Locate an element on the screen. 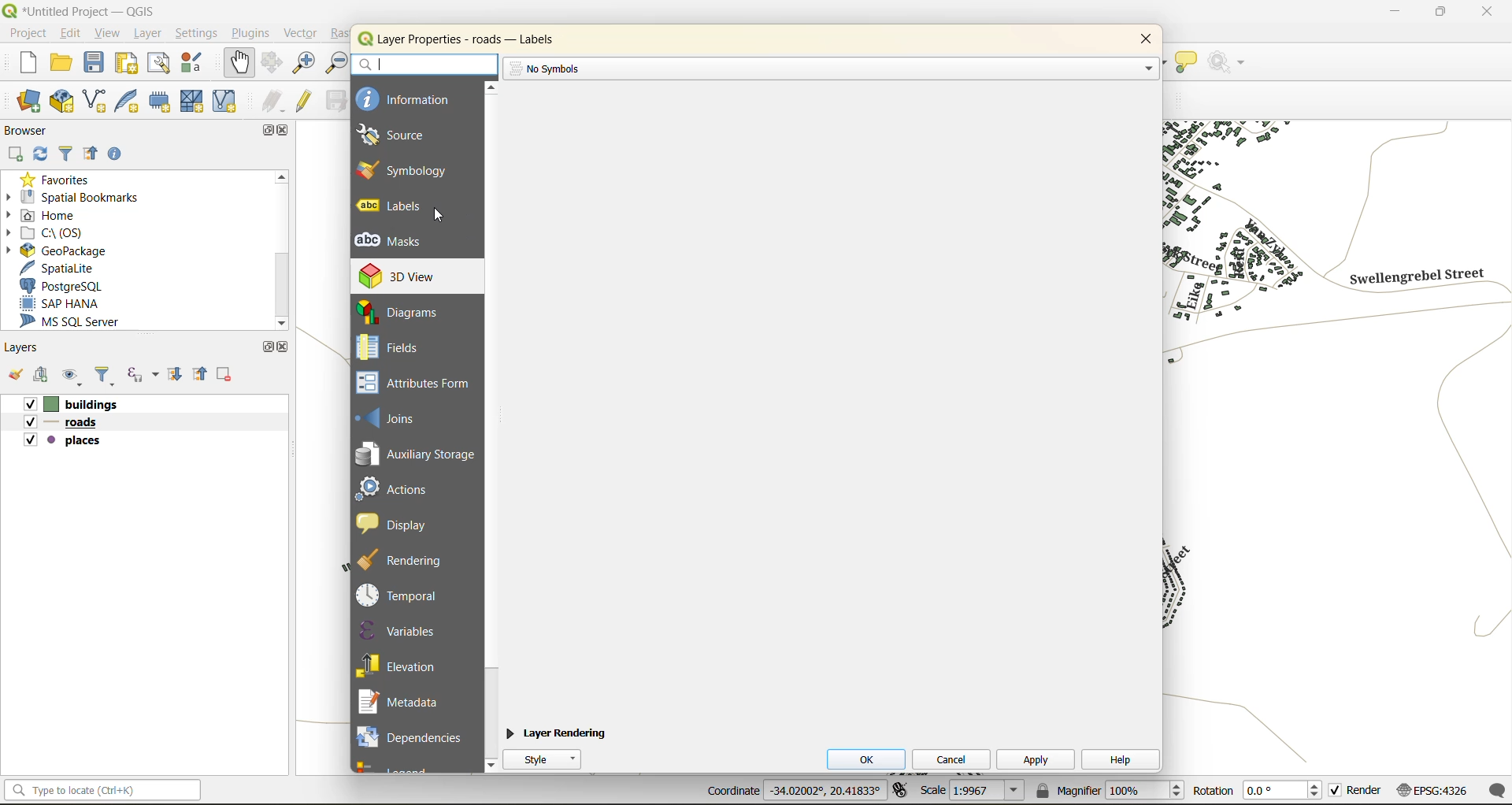 The image size is (1512, 805). new mesh layer is located at coordinates (190, 102).